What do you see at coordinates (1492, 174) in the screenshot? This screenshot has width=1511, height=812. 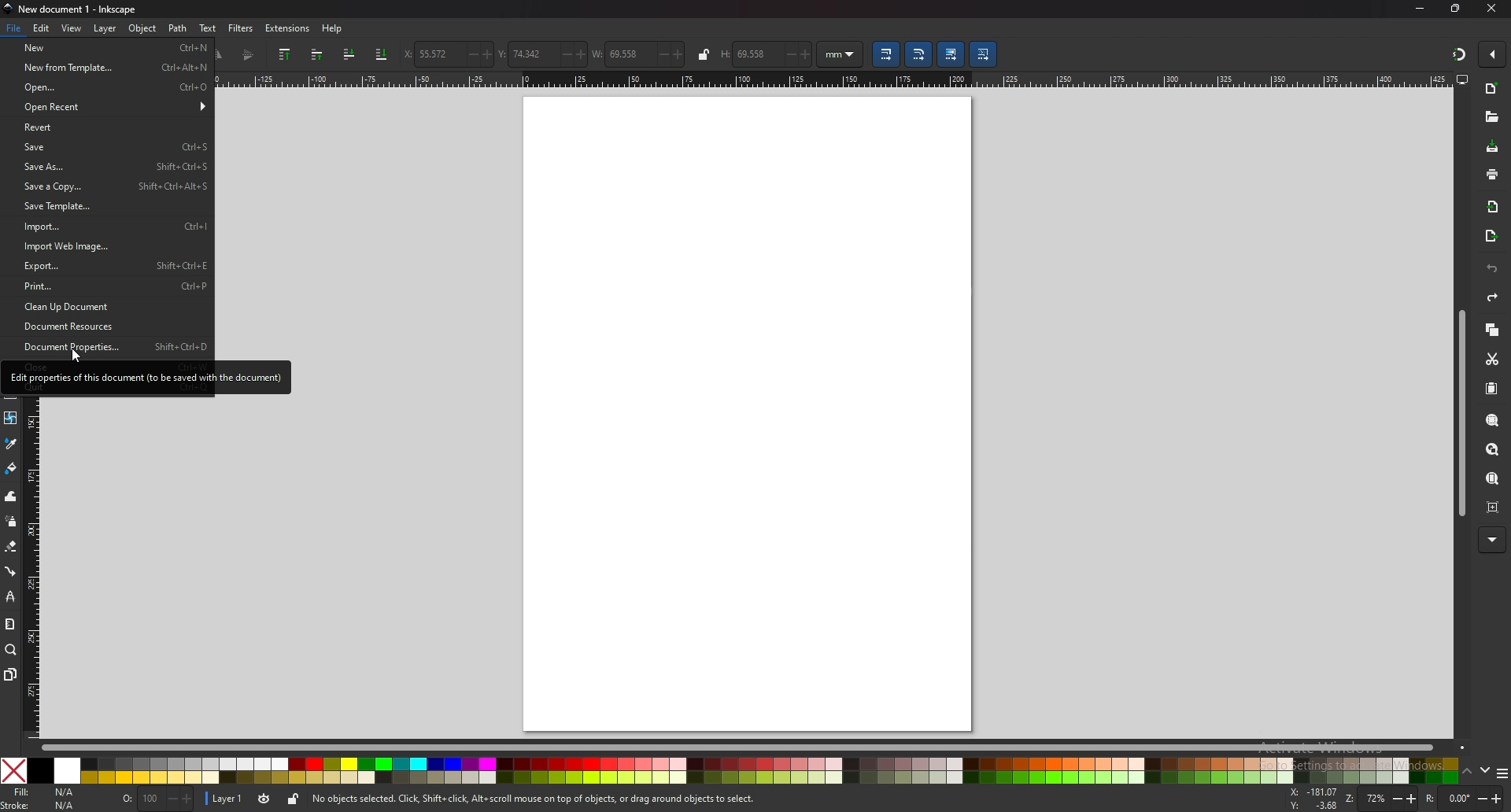 I see `print` at bounding box center [1492, 174].